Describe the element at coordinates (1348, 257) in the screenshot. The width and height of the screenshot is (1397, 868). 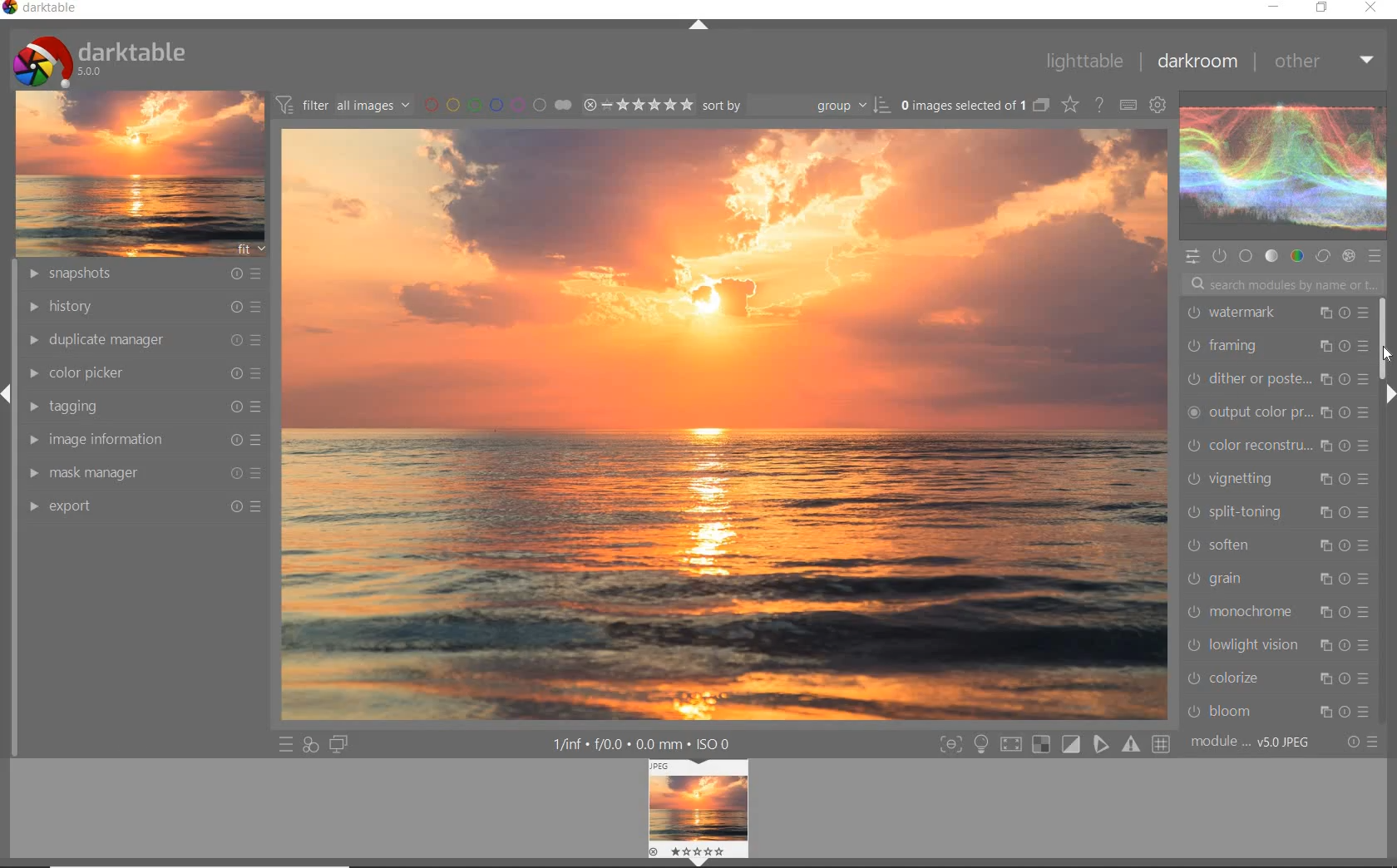
I see `EFFECT` at that location.